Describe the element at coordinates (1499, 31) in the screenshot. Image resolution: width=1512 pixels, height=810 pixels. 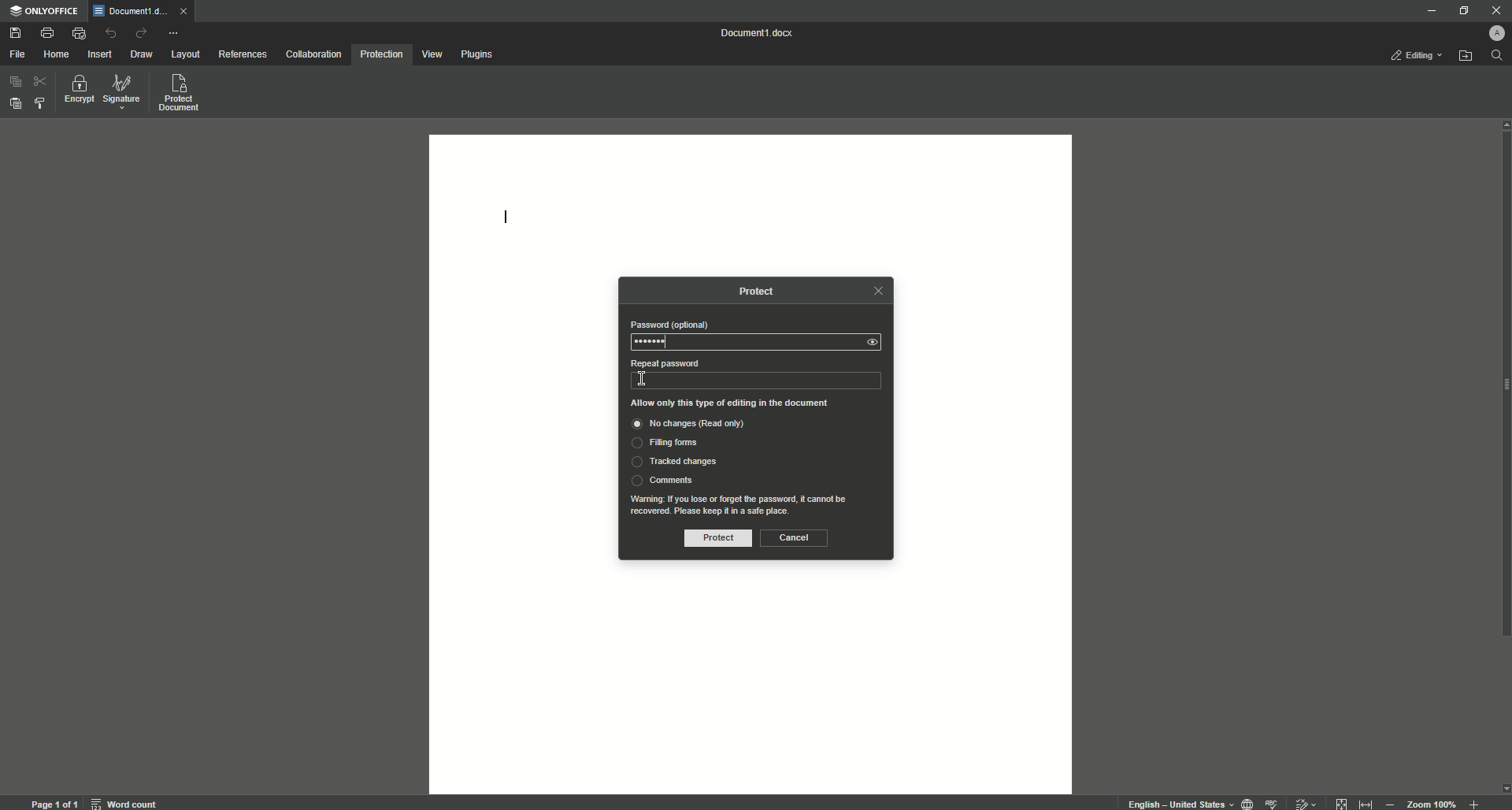
I see `Profile` at that location.